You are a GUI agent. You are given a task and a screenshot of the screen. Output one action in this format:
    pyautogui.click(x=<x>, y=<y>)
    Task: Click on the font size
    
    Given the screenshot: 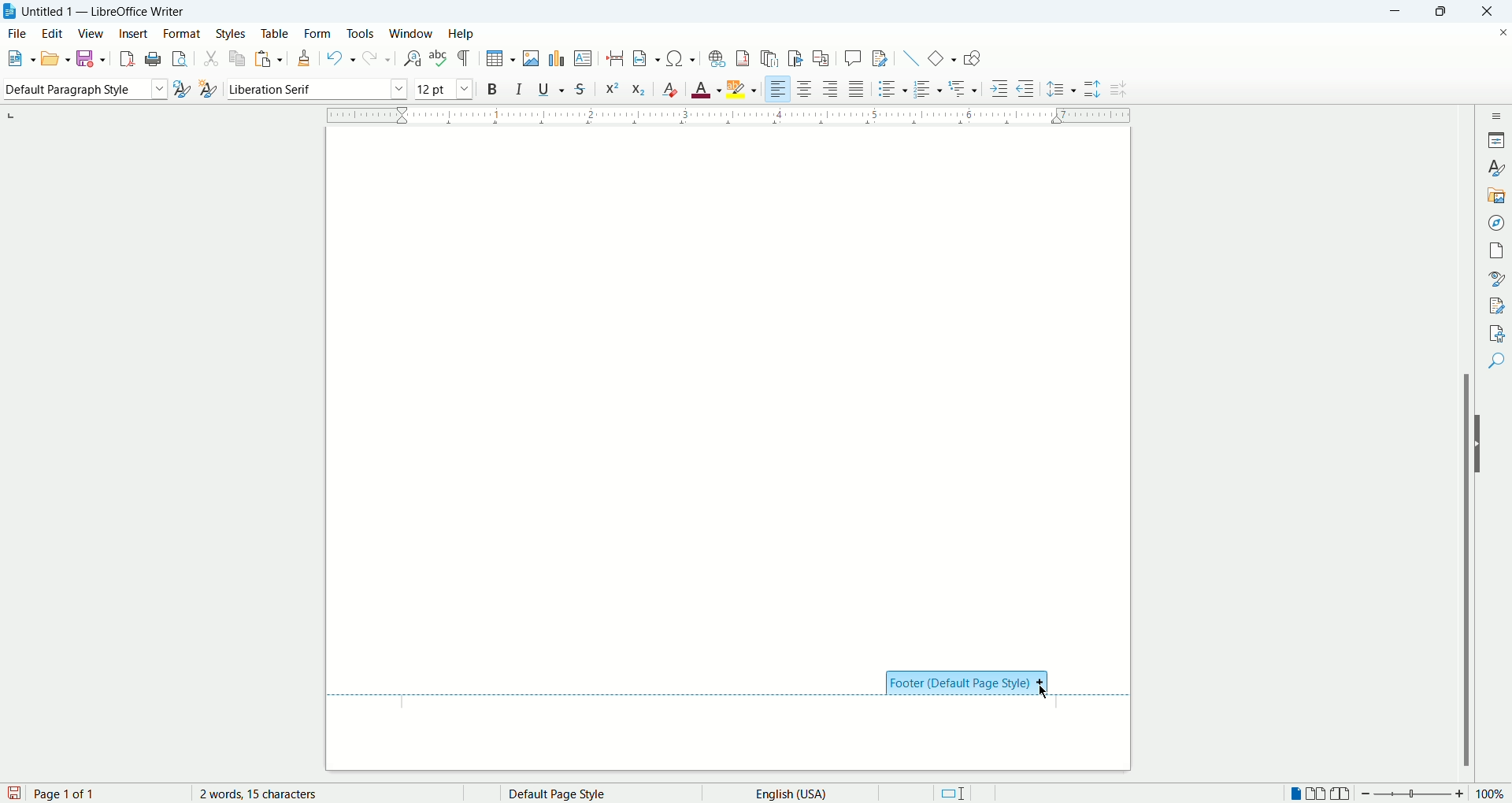 What is the action you would take?
    pyautogui.click(x=443, y=88)
    